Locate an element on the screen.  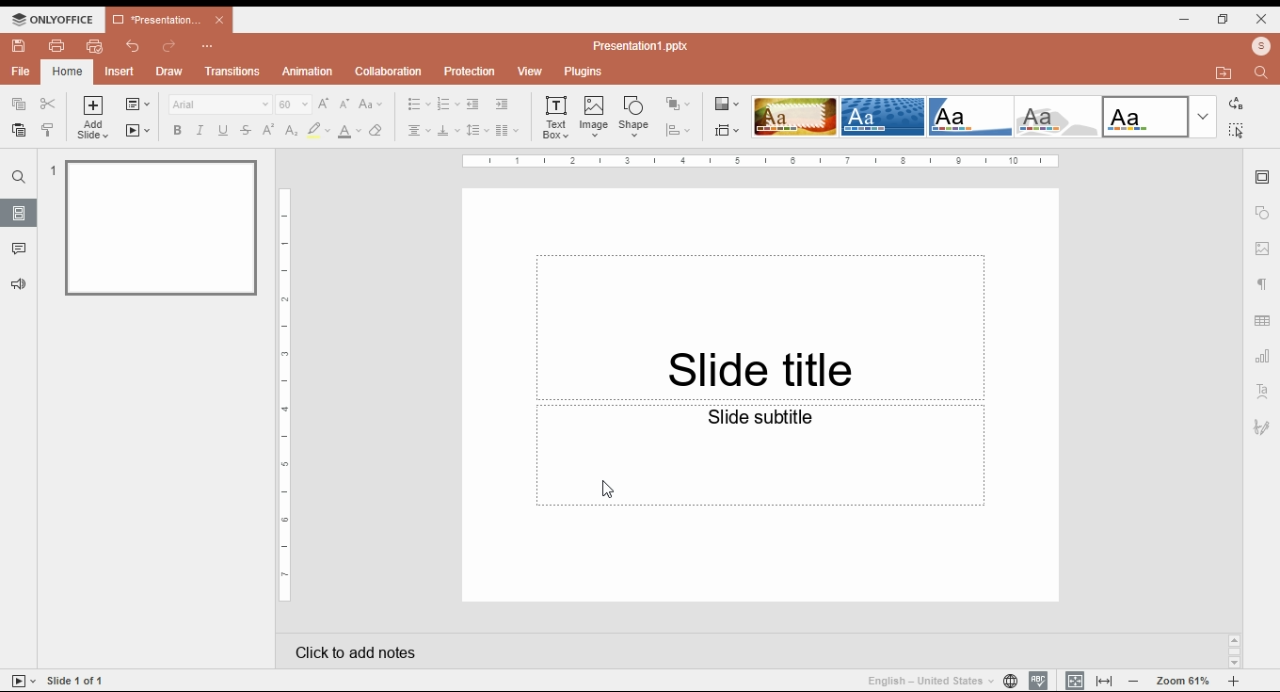
Cursor is located at coordinates (602, 490).